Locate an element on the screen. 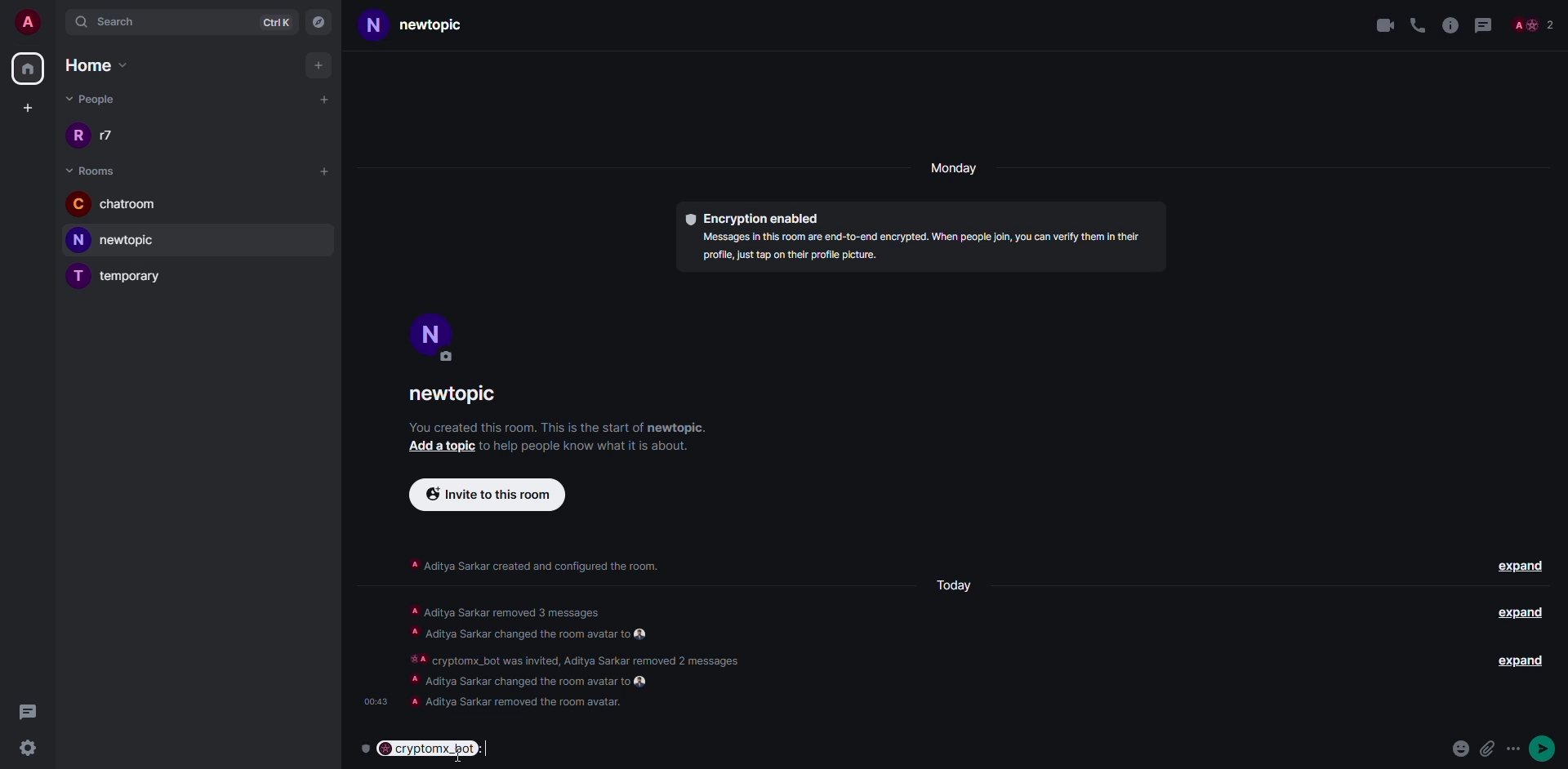 The image size is (1568, 769). add is located at coordinates (320, 65).